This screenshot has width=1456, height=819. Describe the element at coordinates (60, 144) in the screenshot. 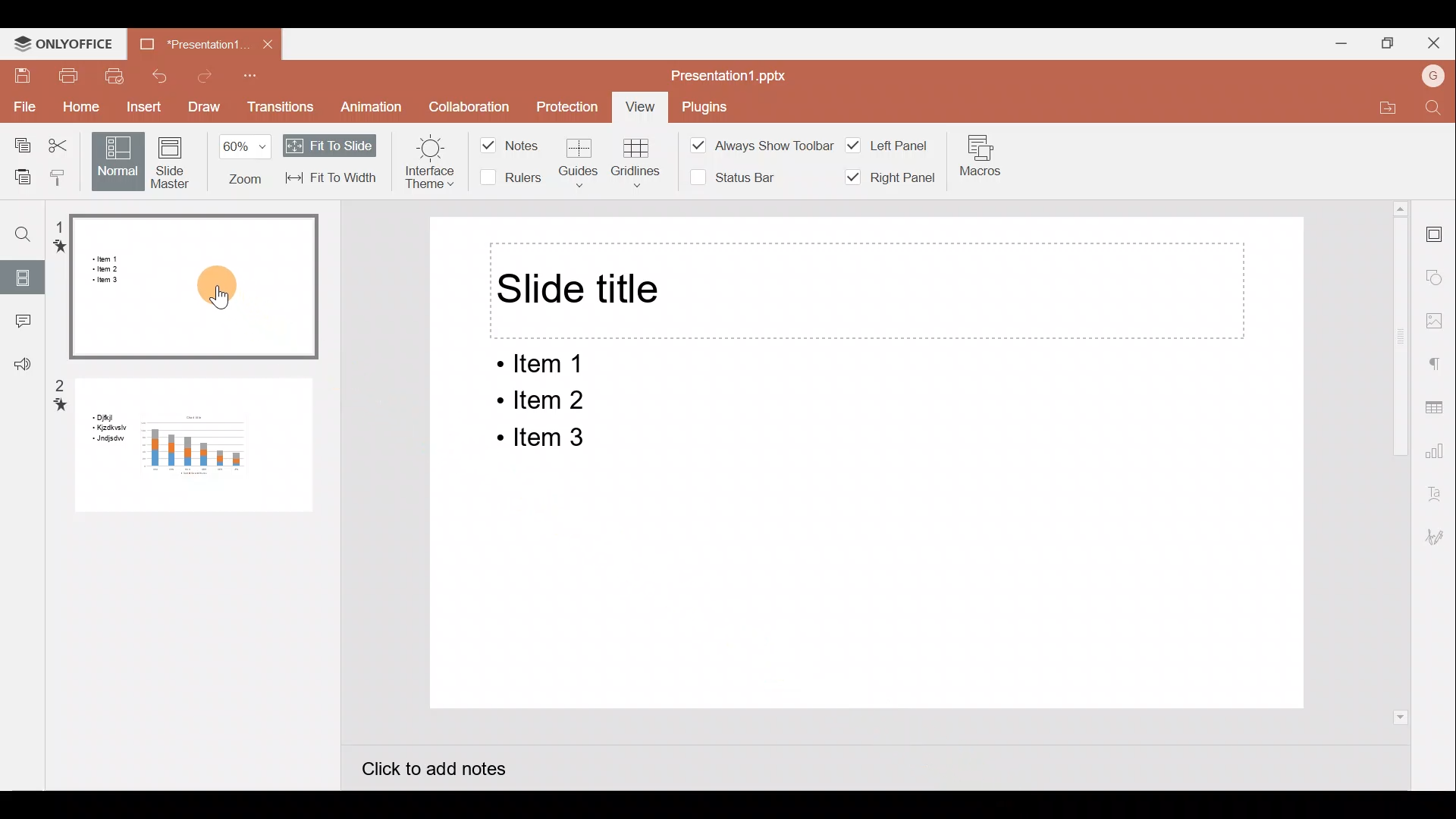

I see `Cut` at that location.